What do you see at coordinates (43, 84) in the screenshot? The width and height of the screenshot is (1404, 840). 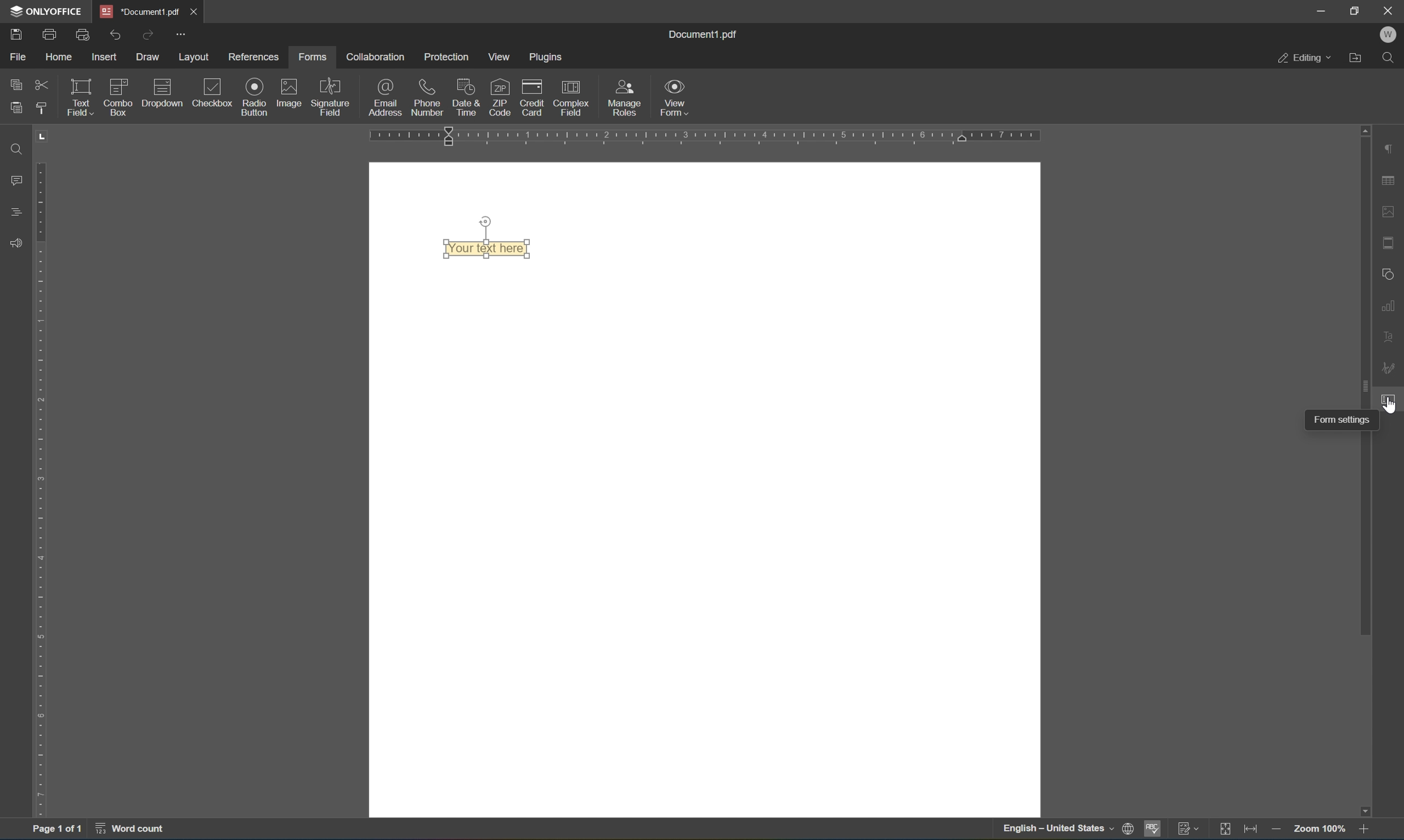 I see `cut` at bounding box center [43, 84].